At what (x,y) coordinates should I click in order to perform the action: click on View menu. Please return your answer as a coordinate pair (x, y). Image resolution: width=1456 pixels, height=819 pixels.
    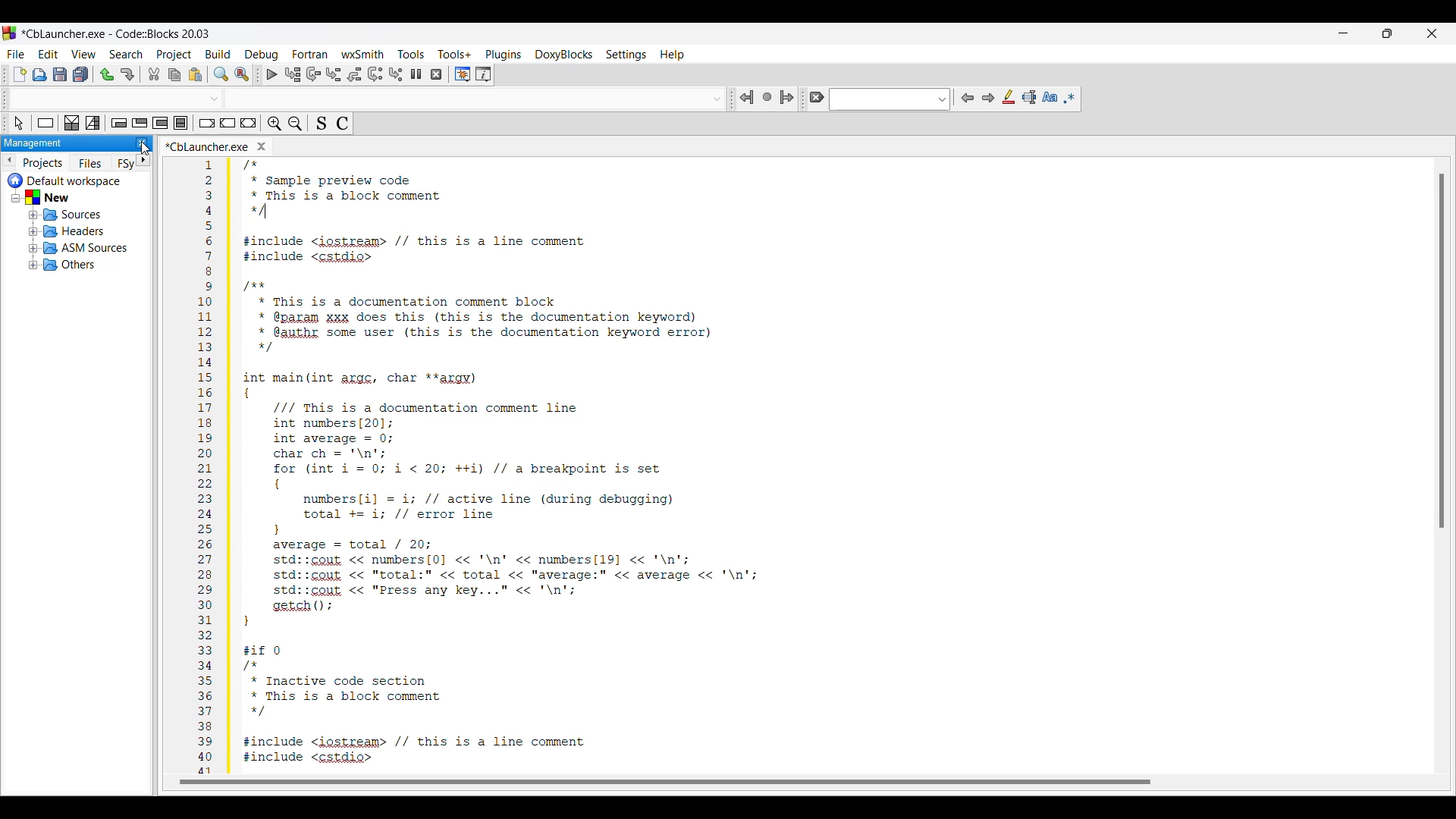
    Looking at the image, I should click on (84, 55).